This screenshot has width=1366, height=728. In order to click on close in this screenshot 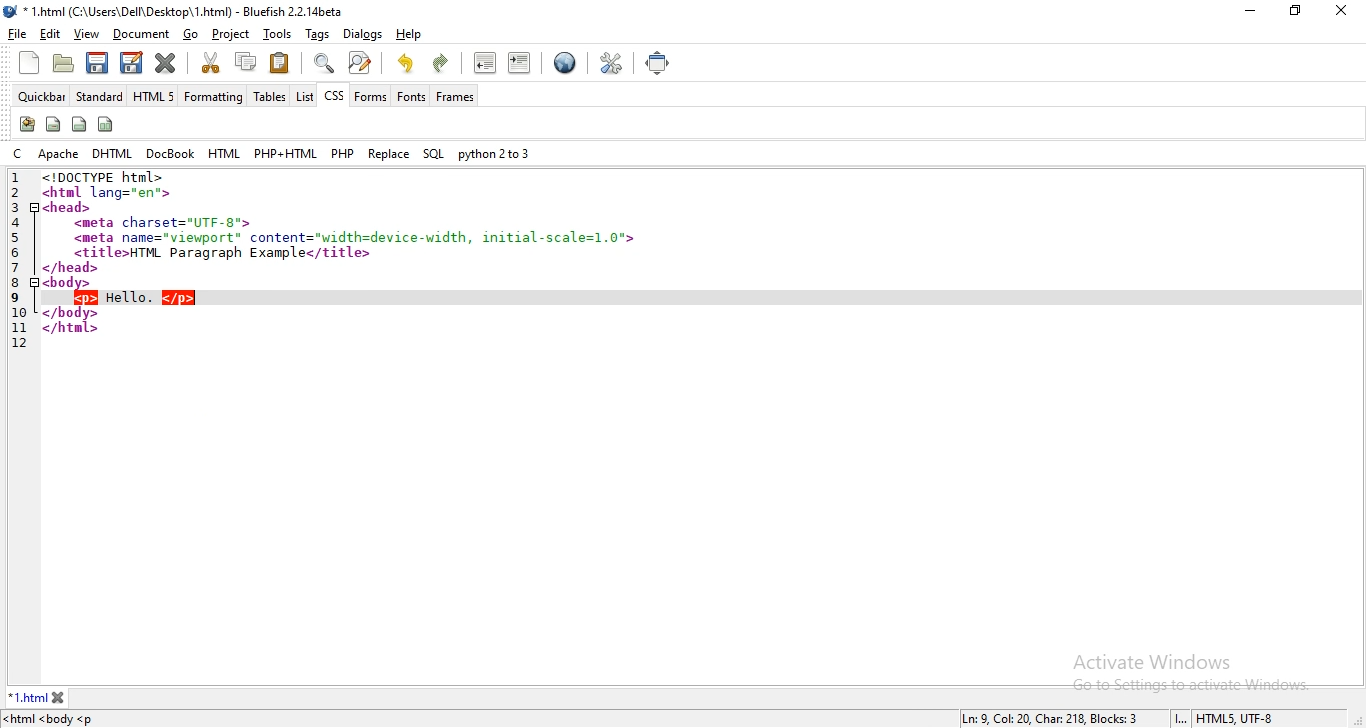, I will do `click(1340, 10)`.